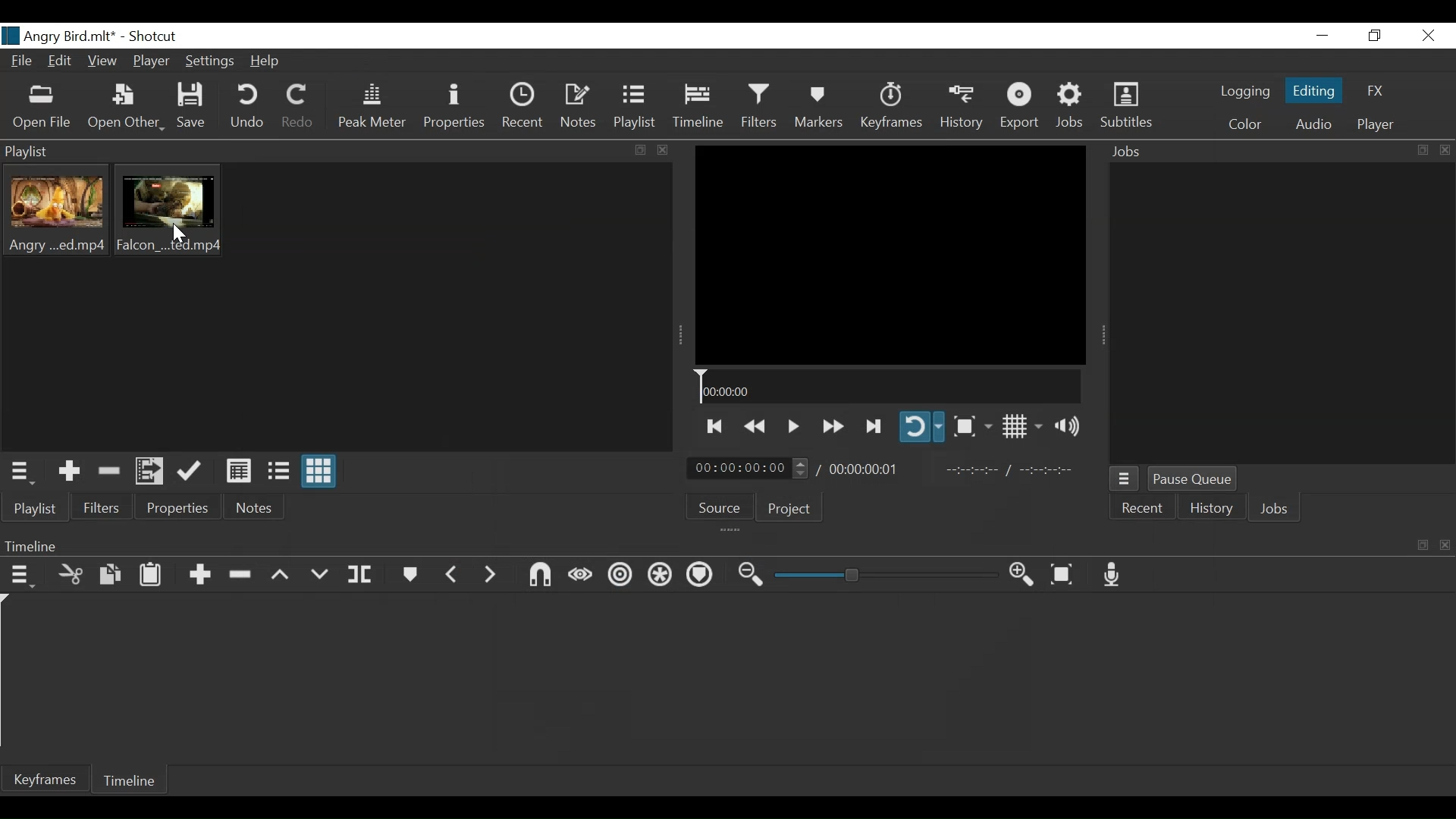  What do you see at coordinates (889, 575) in the screenshot?
I see `Zoom slider` at bounding box center [889, 575].